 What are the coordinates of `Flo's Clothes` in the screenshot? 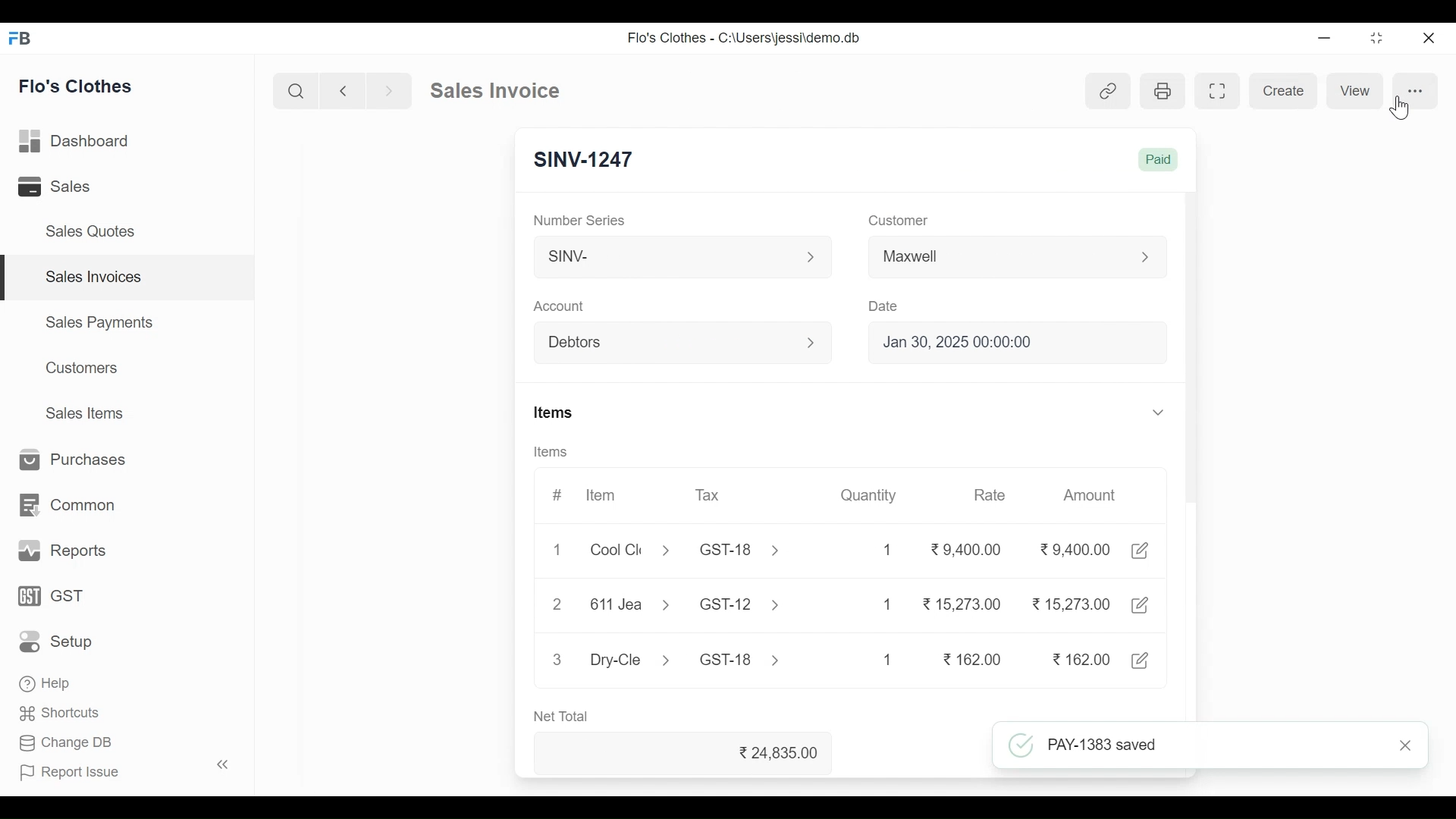 It's located at (77, 86).